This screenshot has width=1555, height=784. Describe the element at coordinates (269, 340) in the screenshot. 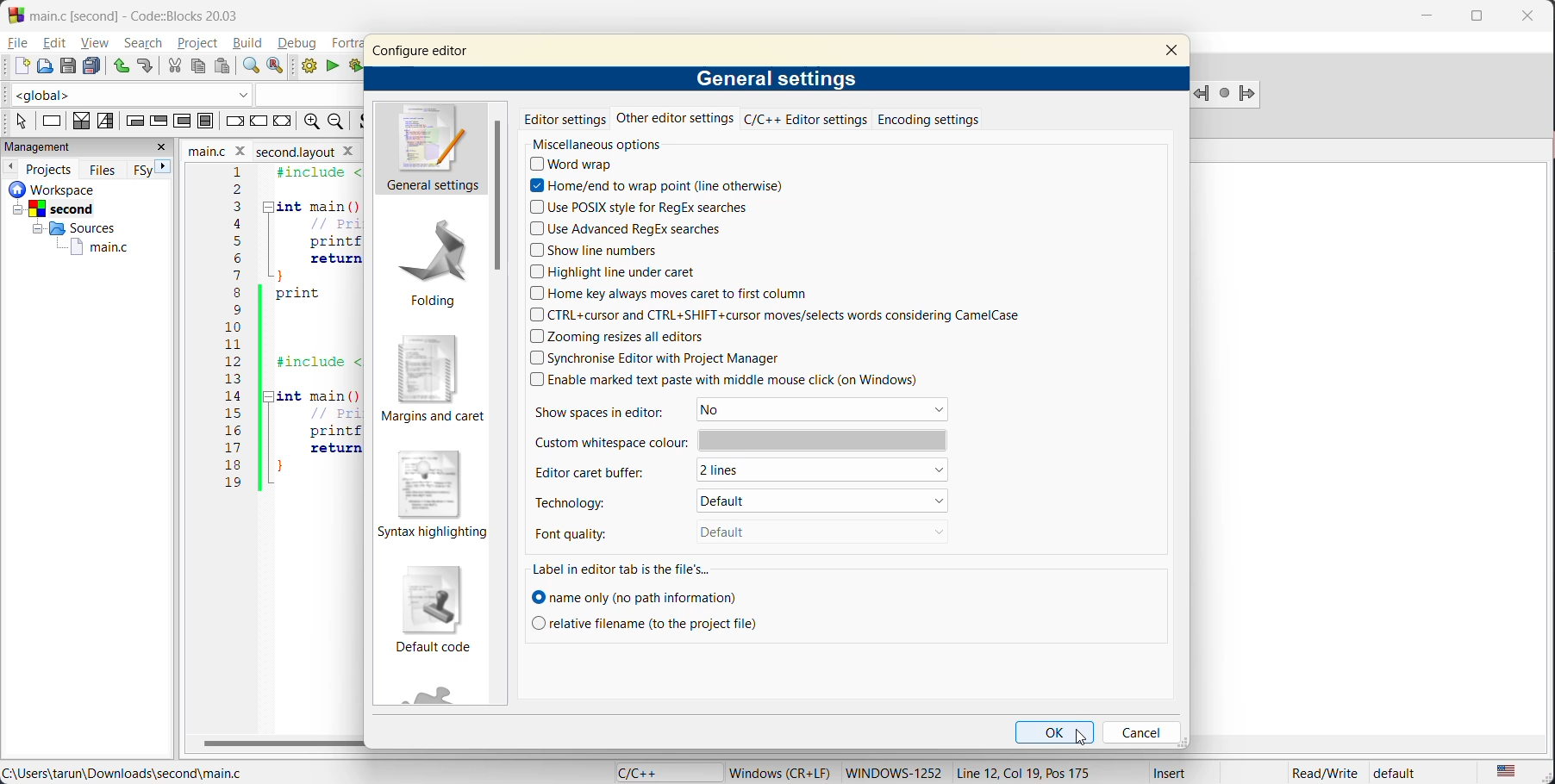

I see `code editor` at that location.